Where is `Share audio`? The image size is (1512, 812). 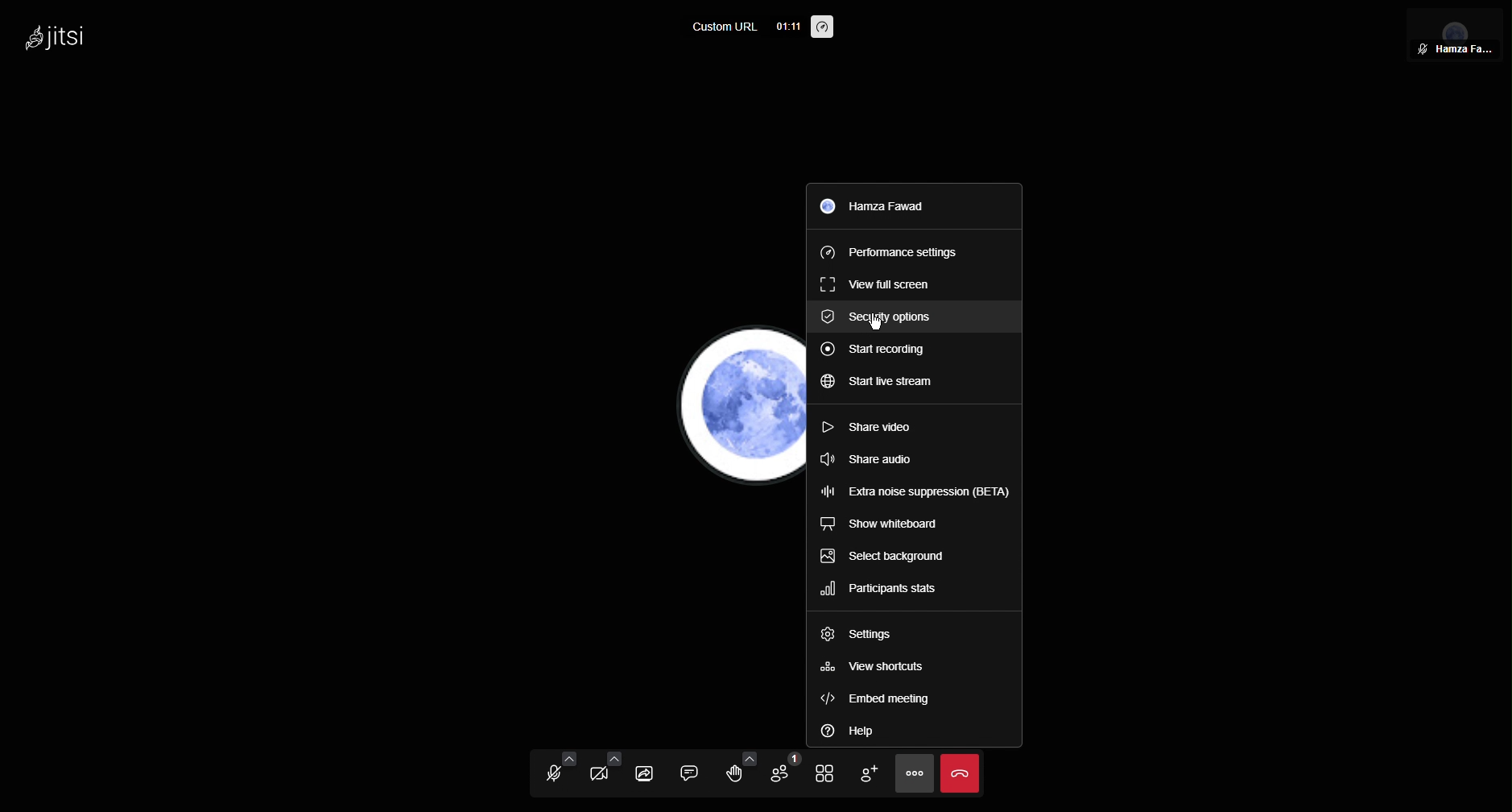 Share audio is located at coordinates (876, 460).